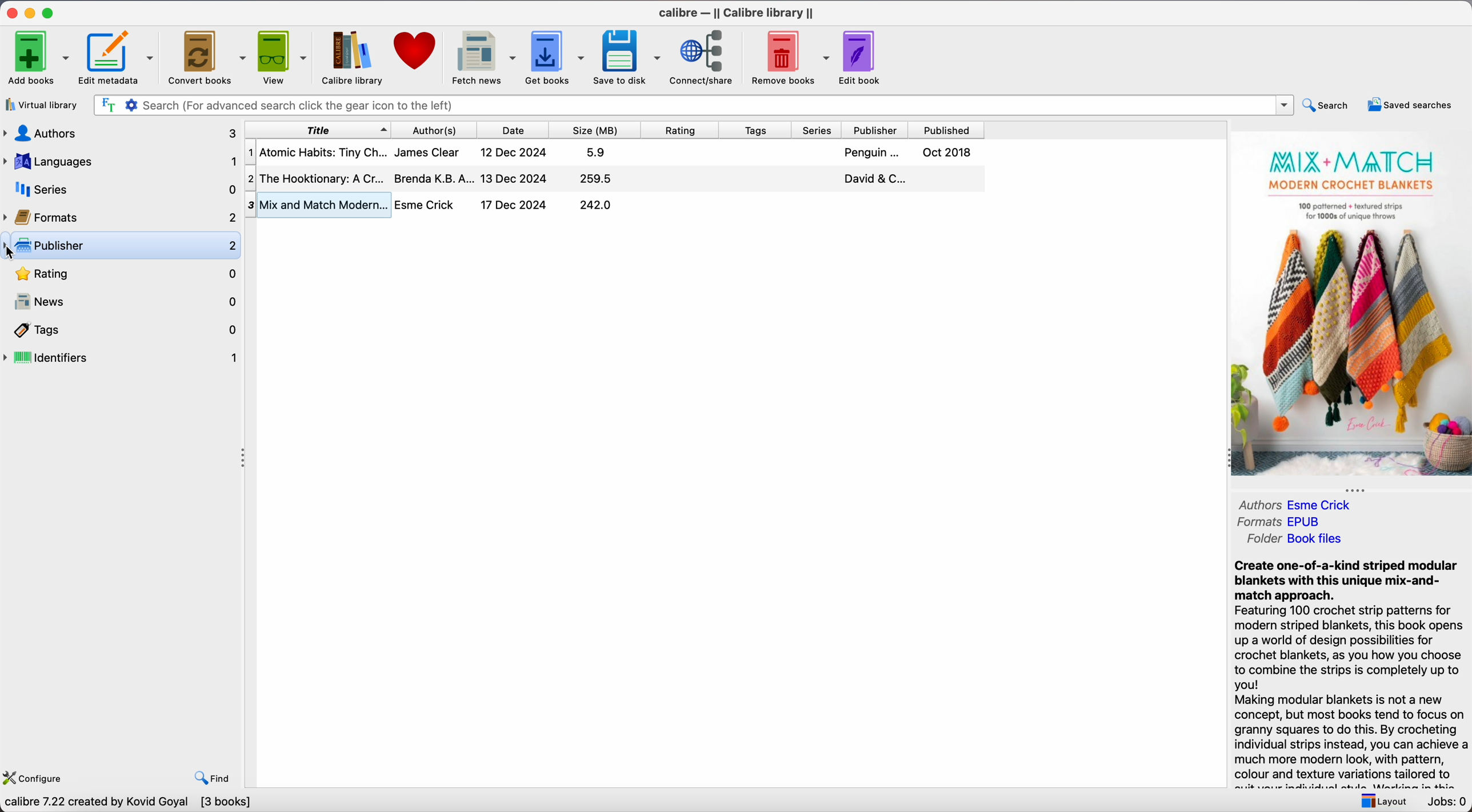 The width and height of the screenshot is (1472, 812). What do you see at coordinates (214, 777) in the screenshot?
I see `find` at bounding box center [214, 777].